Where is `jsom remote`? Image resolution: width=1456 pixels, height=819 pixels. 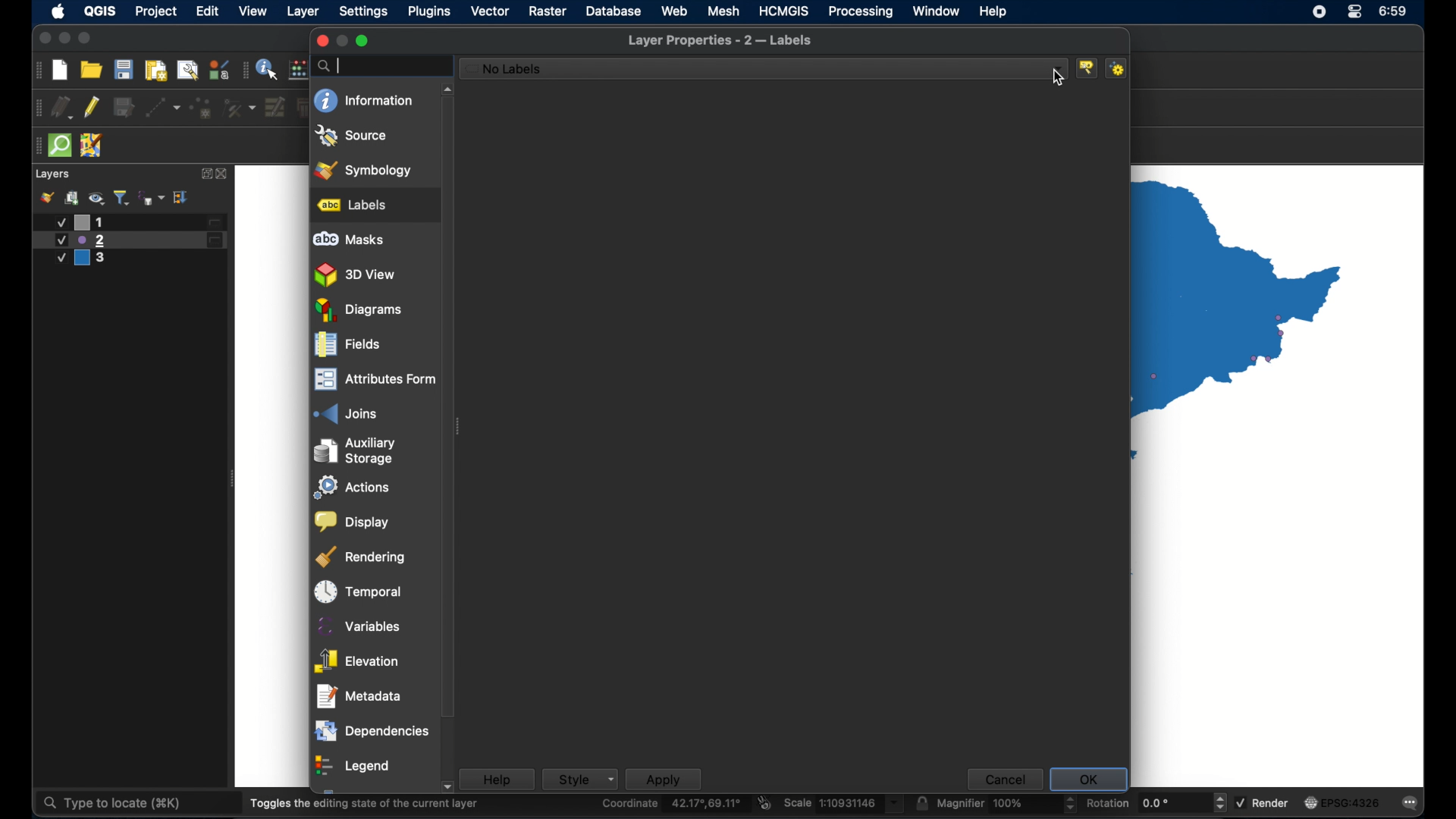
jsom remote is located at coordinates (92, 145).